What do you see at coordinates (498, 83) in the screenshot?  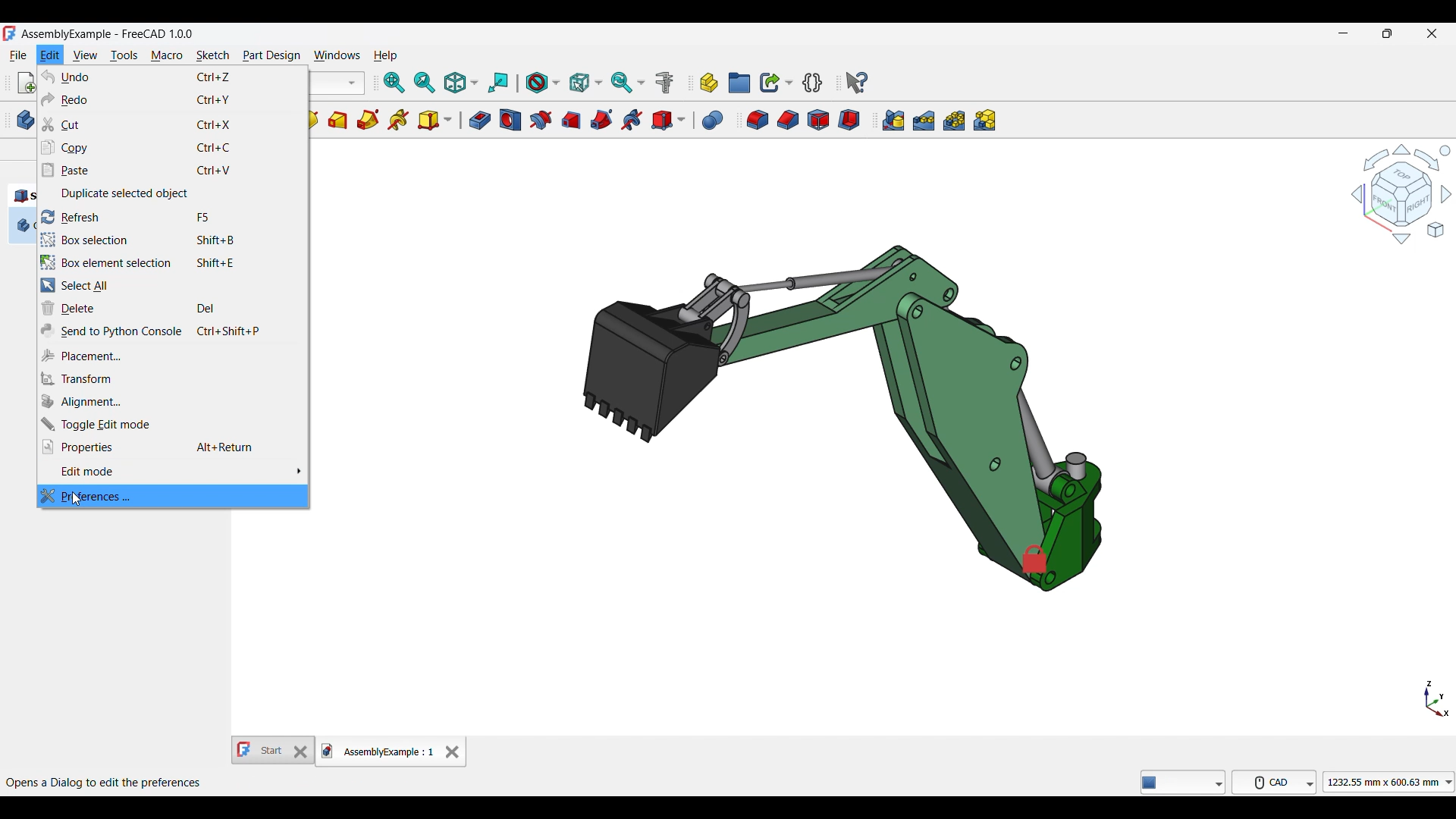 I see `Align to selection` at bounding box center [498, 83].